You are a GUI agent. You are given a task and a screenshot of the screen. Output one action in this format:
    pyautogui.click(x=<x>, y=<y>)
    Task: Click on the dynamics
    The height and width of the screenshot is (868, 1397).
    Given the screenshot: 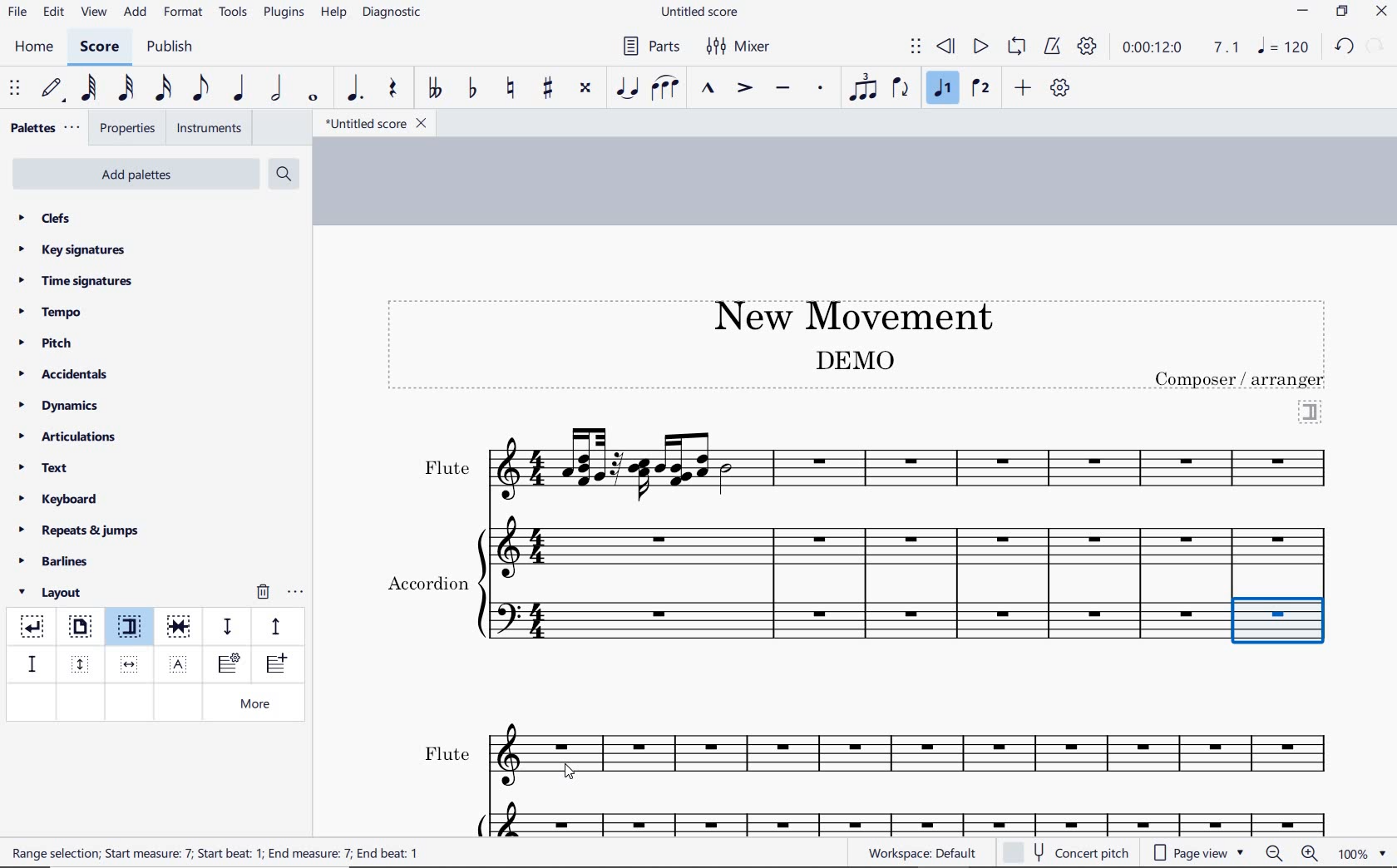 What is the action you would take?
    pyautogui.click(x=63, y=406)
    